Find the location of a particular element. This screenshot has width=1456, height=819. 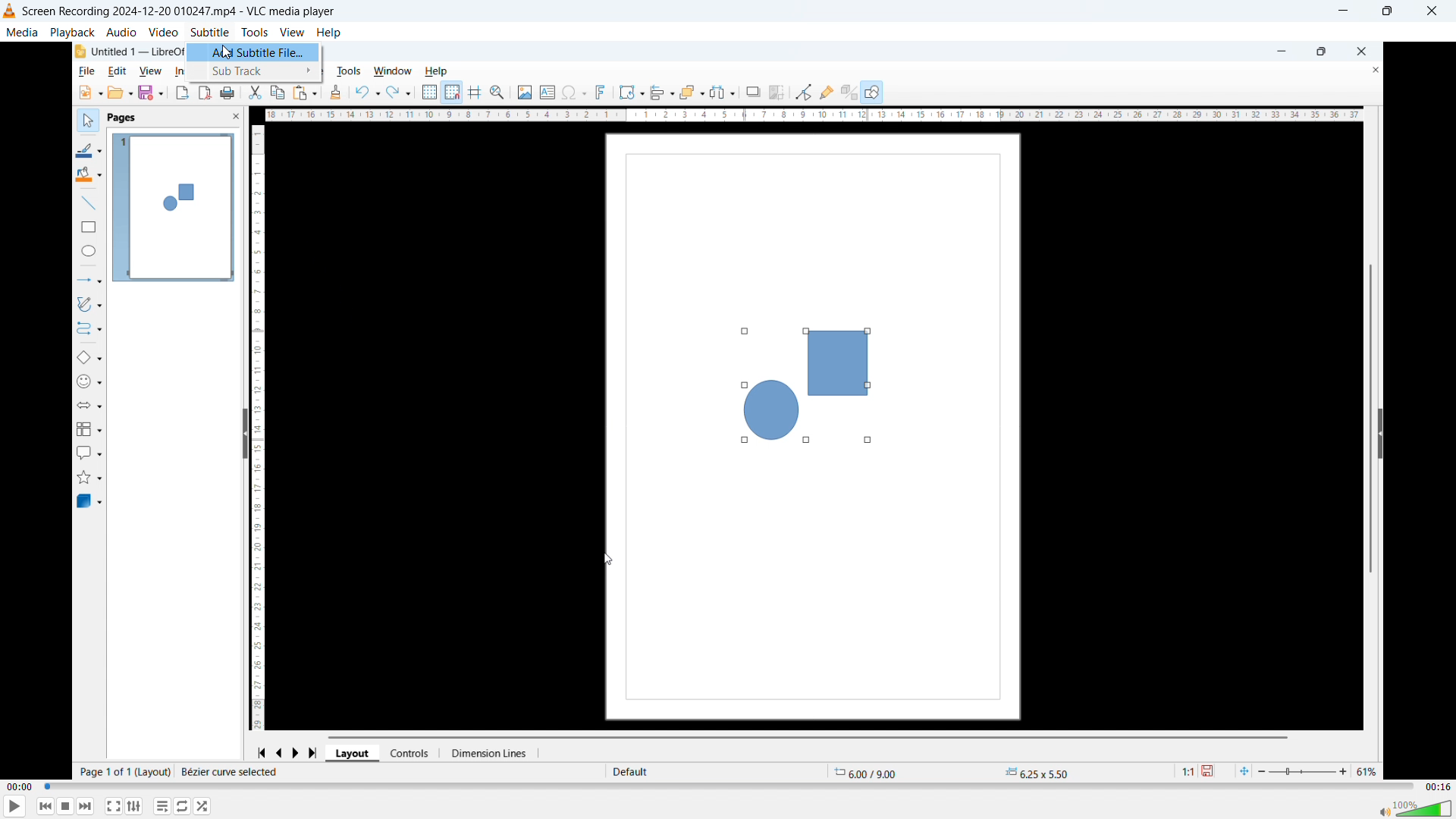

transformation is located at coordinates (631, 91).